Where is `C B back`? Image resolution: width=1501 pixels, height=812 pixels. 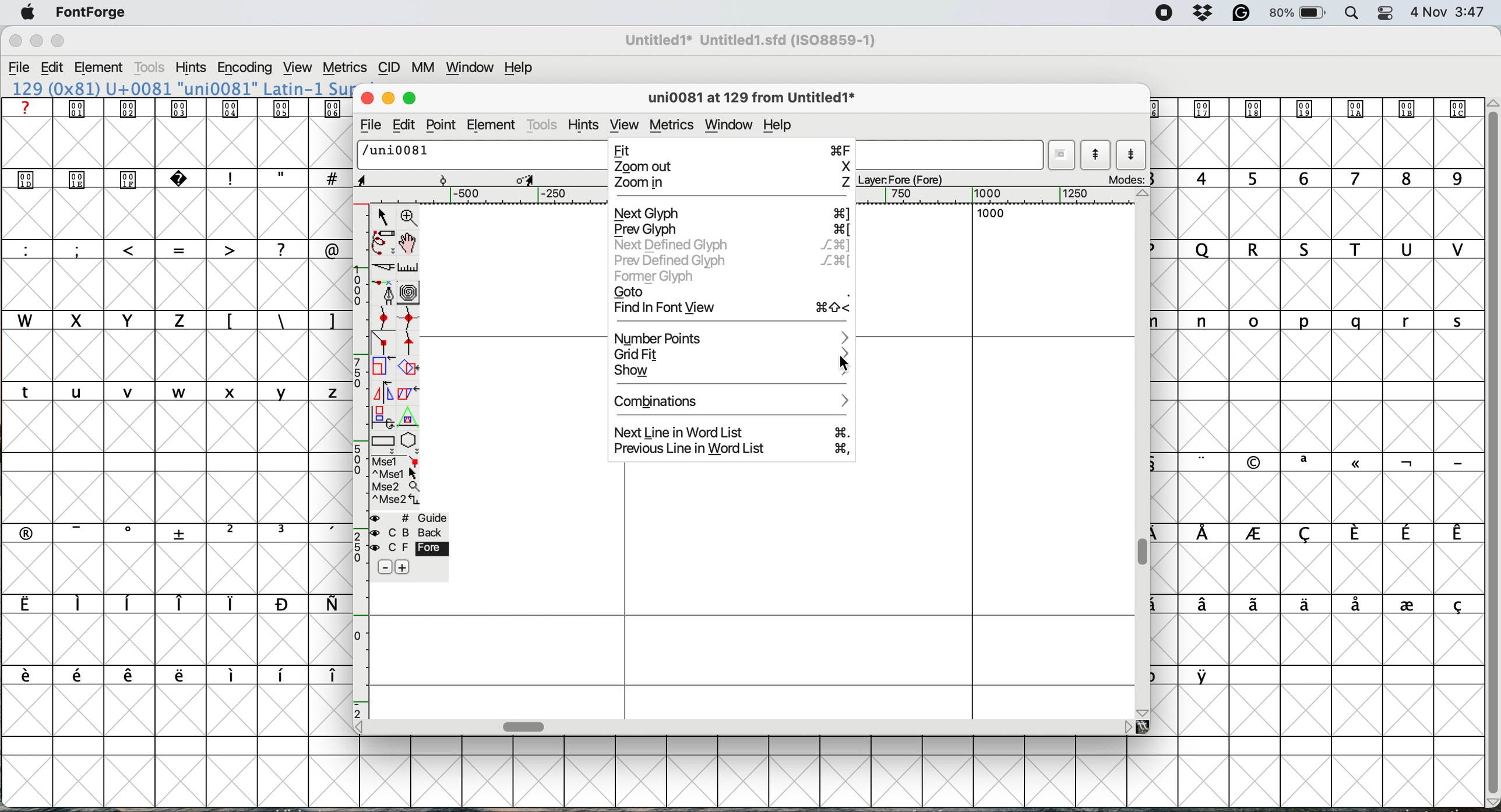
C B back is located at coordinates (413, 532).